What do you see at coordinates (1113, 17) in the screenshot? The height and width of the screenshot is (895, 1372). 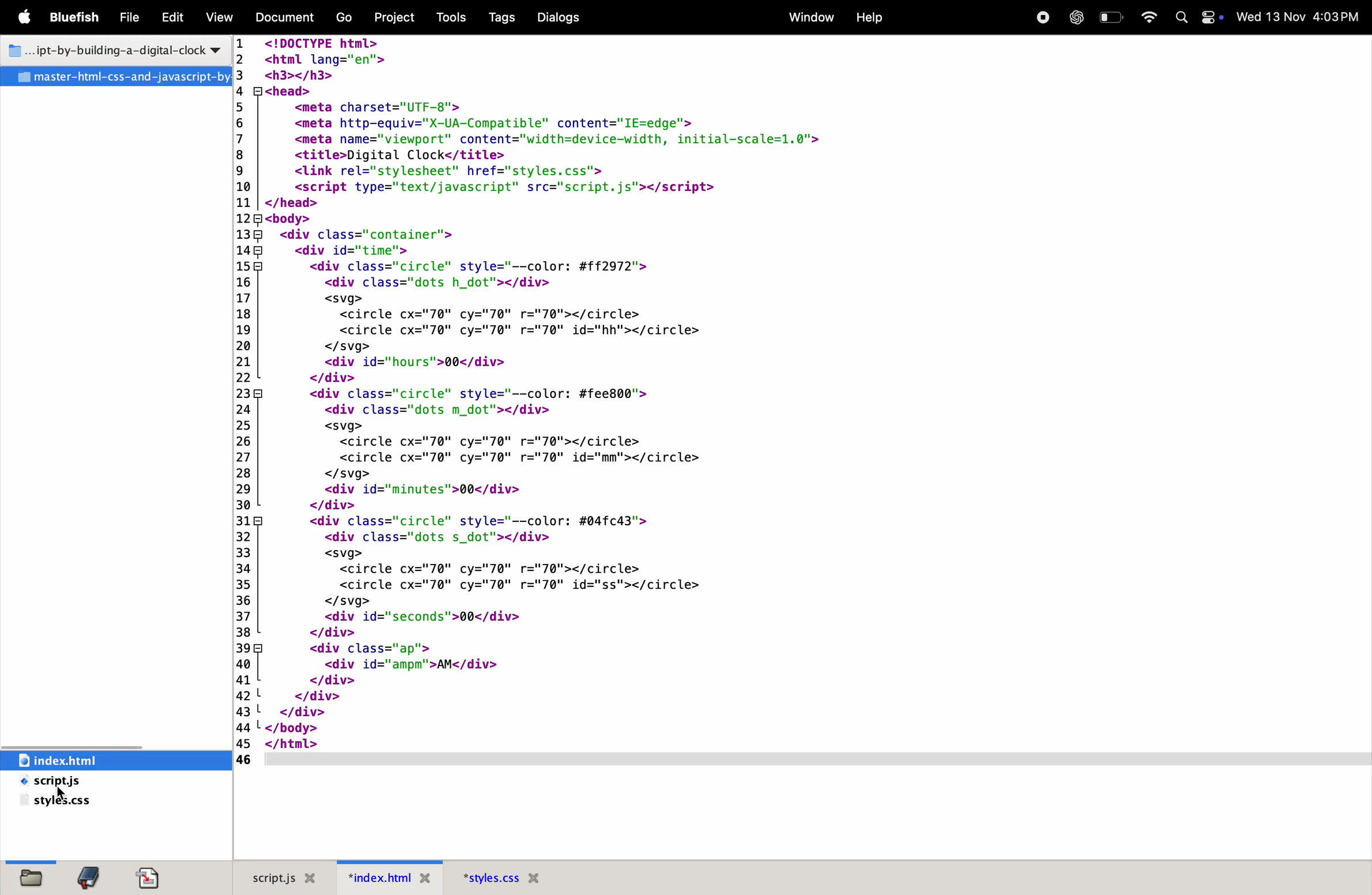 I see `battery` at bounding box center [1113, 17].